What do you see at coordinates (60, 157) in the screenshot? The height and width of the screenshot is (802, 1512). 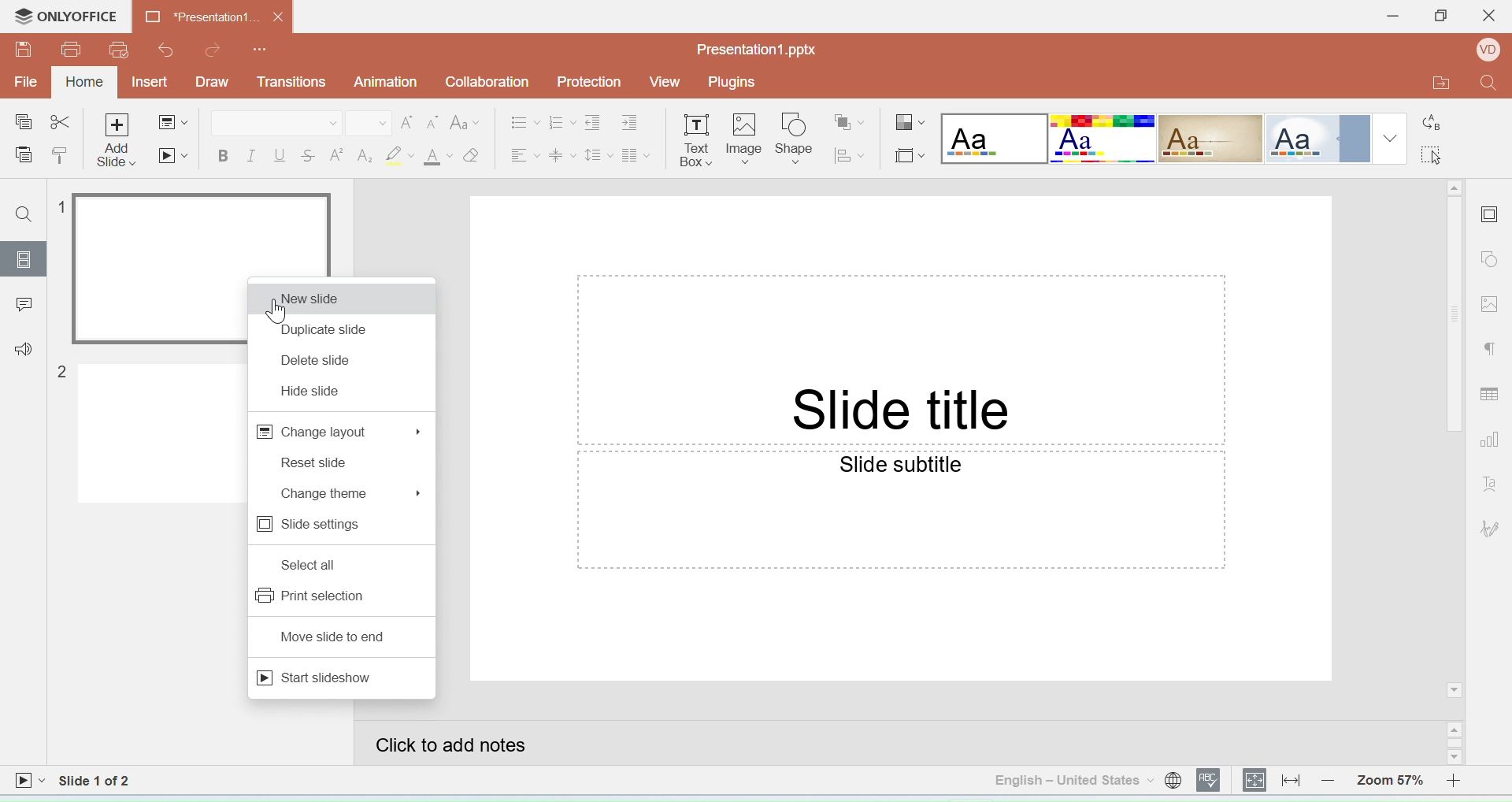 I see `Copy style` at bounding box center [60, 157].